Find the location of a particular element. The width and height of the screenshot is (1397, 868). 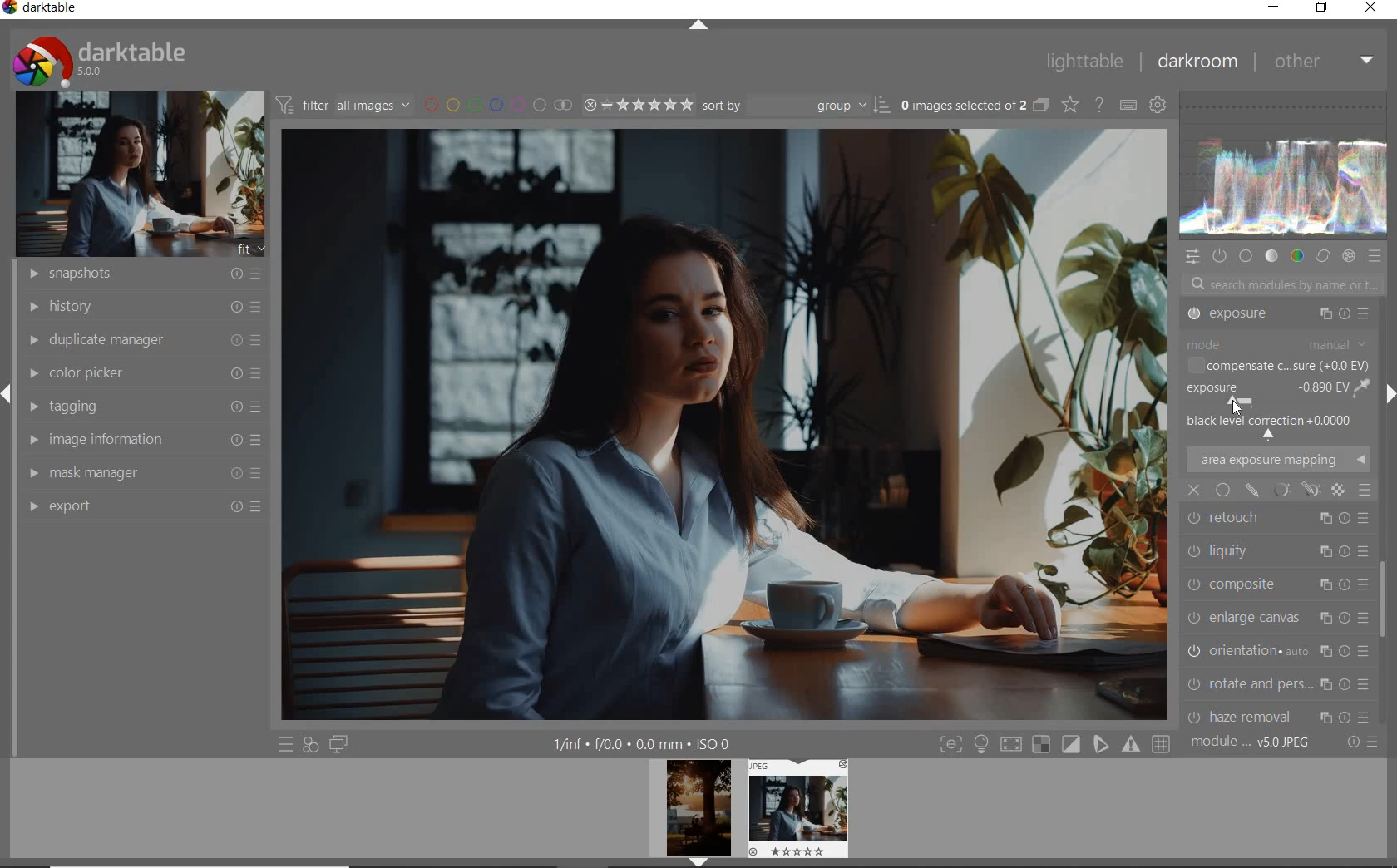

SCALE PIXELS is located at coordinates (1286, 712).